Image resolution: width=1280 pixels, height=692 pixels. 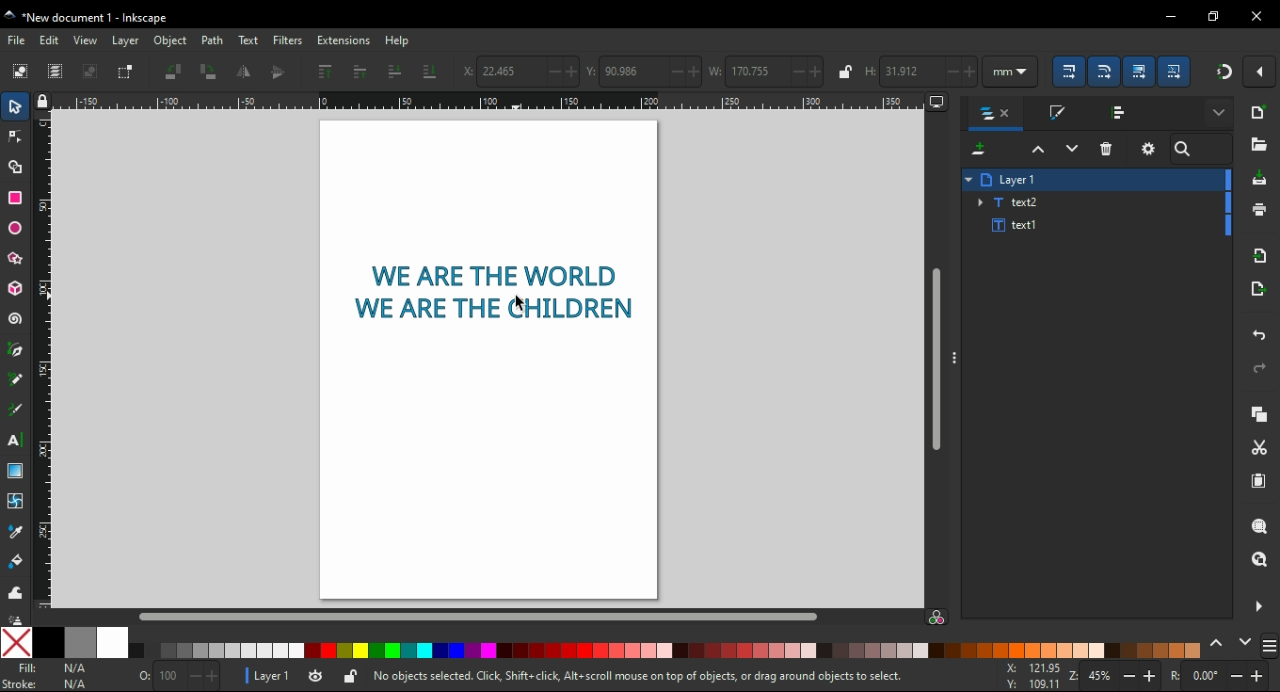 What do you see at coordinates (1201, 149) in the screenshot?
I see `search bar` at bounding box center [1201, 149].